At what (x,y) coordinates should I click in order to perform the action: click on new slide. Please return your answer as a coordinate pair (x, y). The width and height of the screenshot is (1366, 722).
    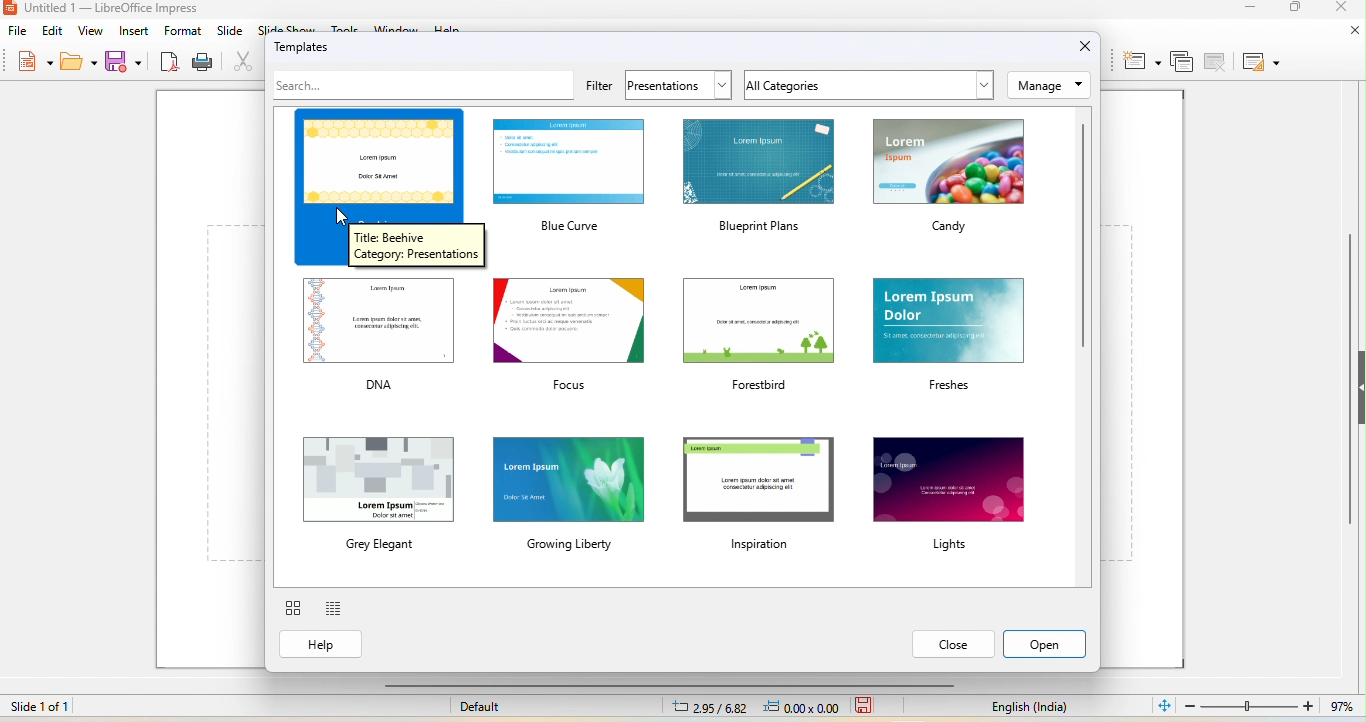
    Looking at the image, I should click on (1140, 61).